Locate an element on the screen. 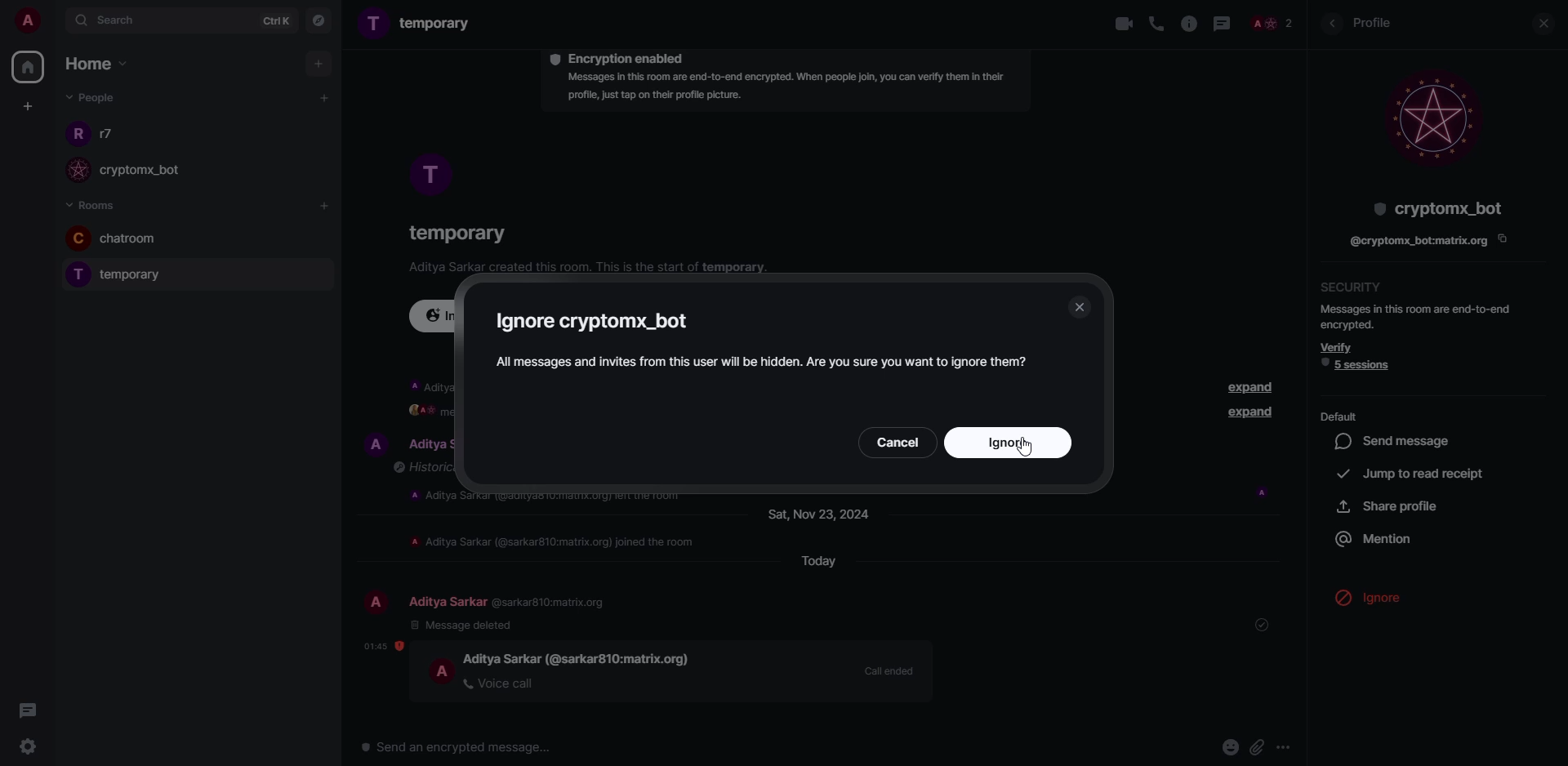  message deleted is located at coordinates (463, 625).